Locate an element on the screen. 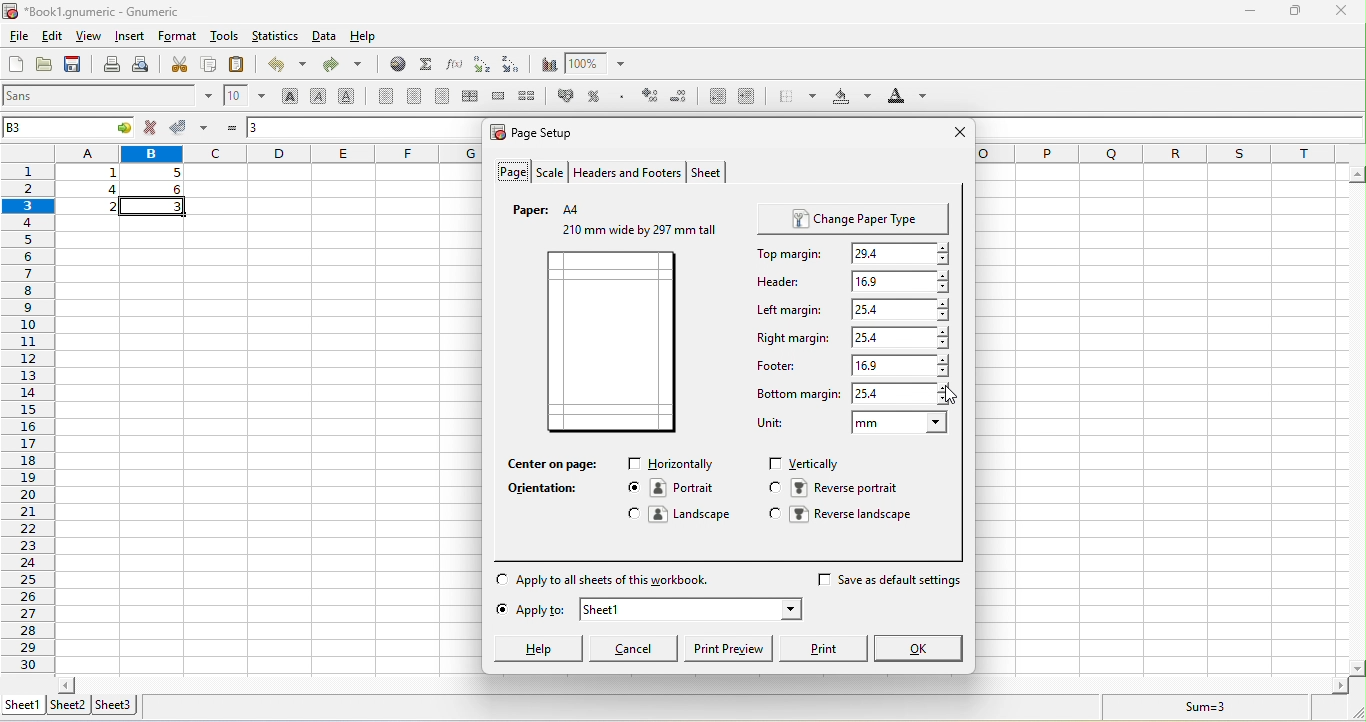 The height and width of the screenshot is (722, 1366). landscape is located at coordinates (682, 513).